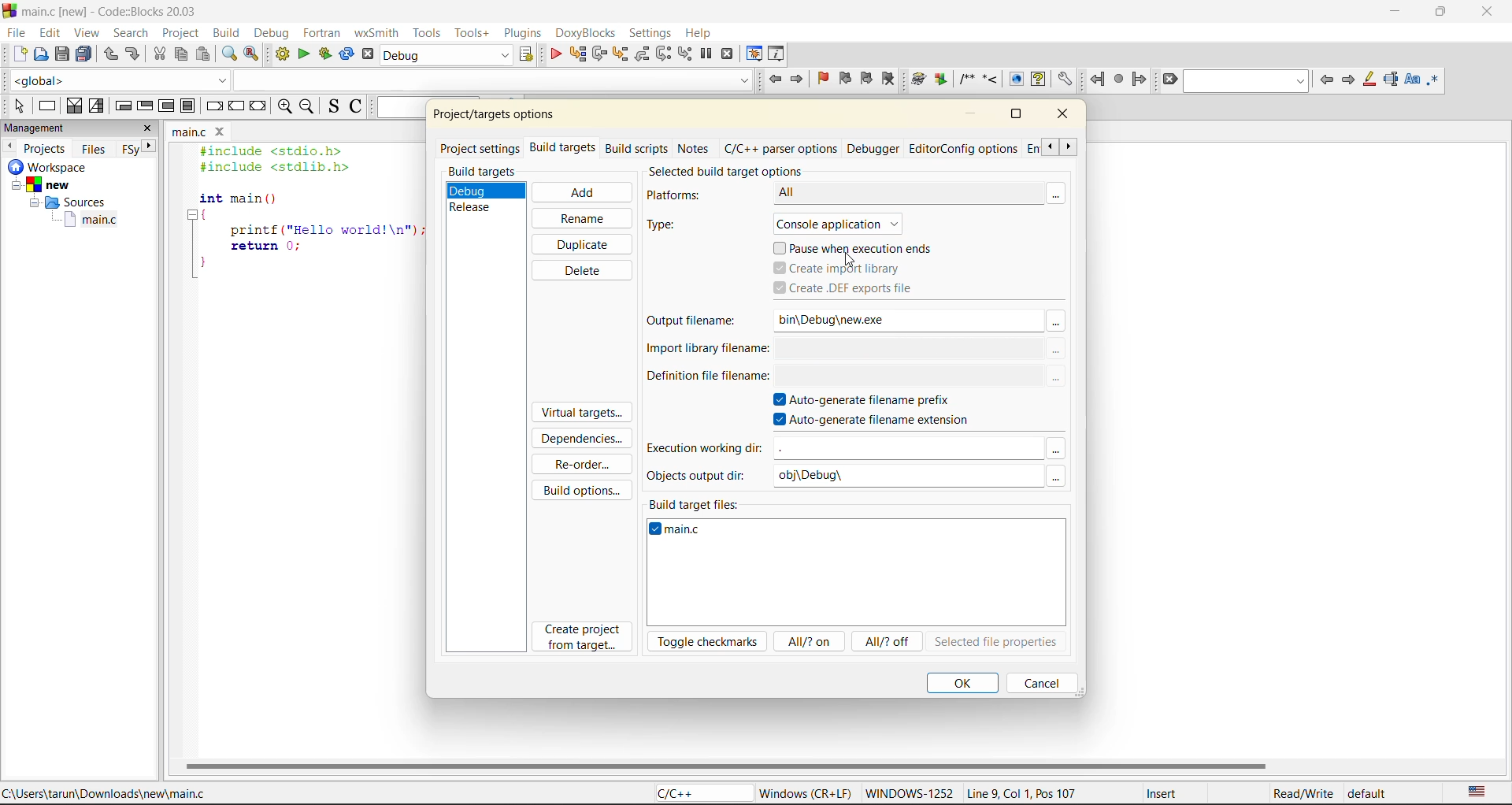  Describe the element at coordinates (1161, 793) in the screenshot. I see `Insert` at that location.